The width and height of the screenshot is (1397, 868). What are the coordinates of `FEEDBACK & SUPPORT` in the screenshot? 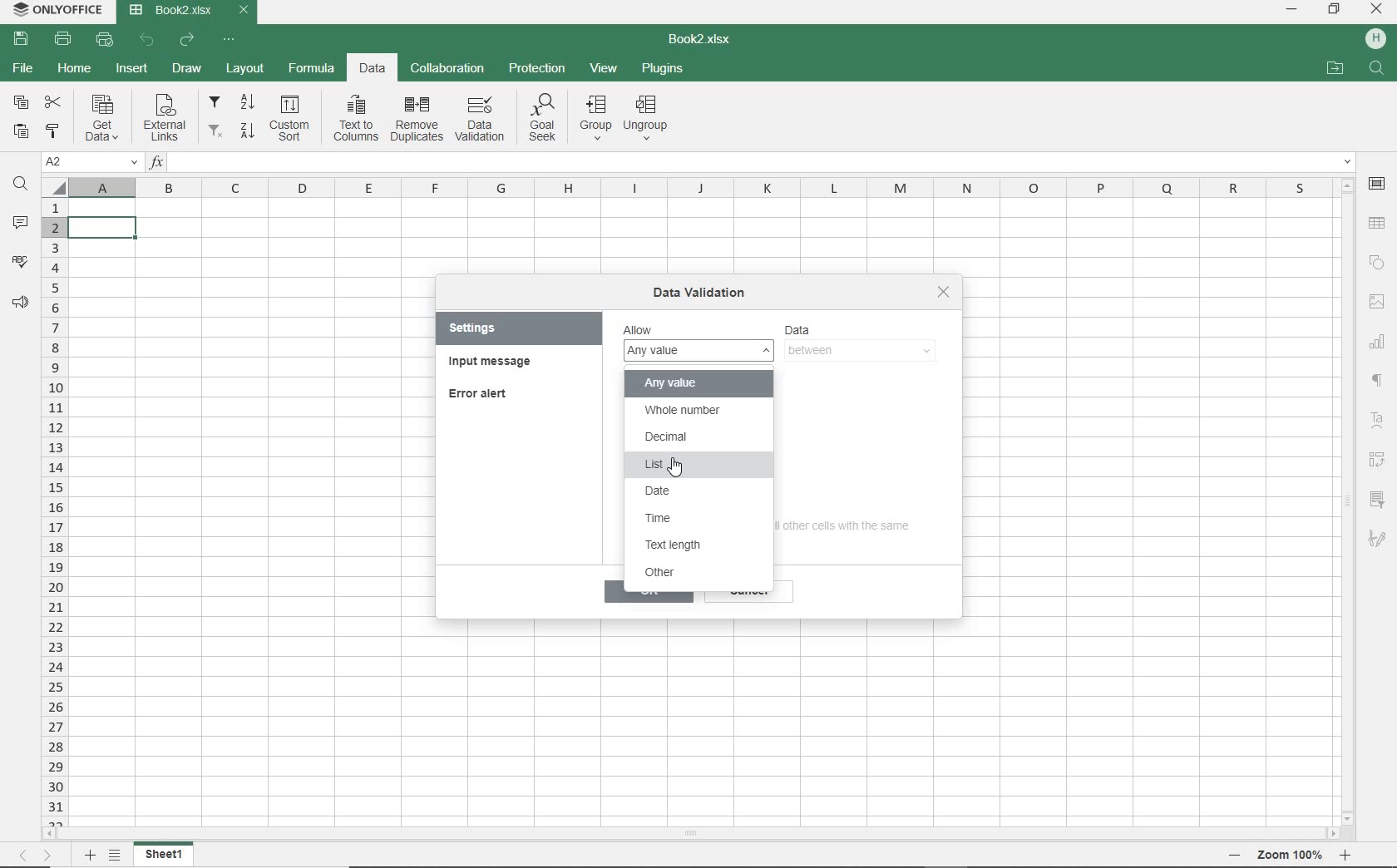 It's located at (21, 303).